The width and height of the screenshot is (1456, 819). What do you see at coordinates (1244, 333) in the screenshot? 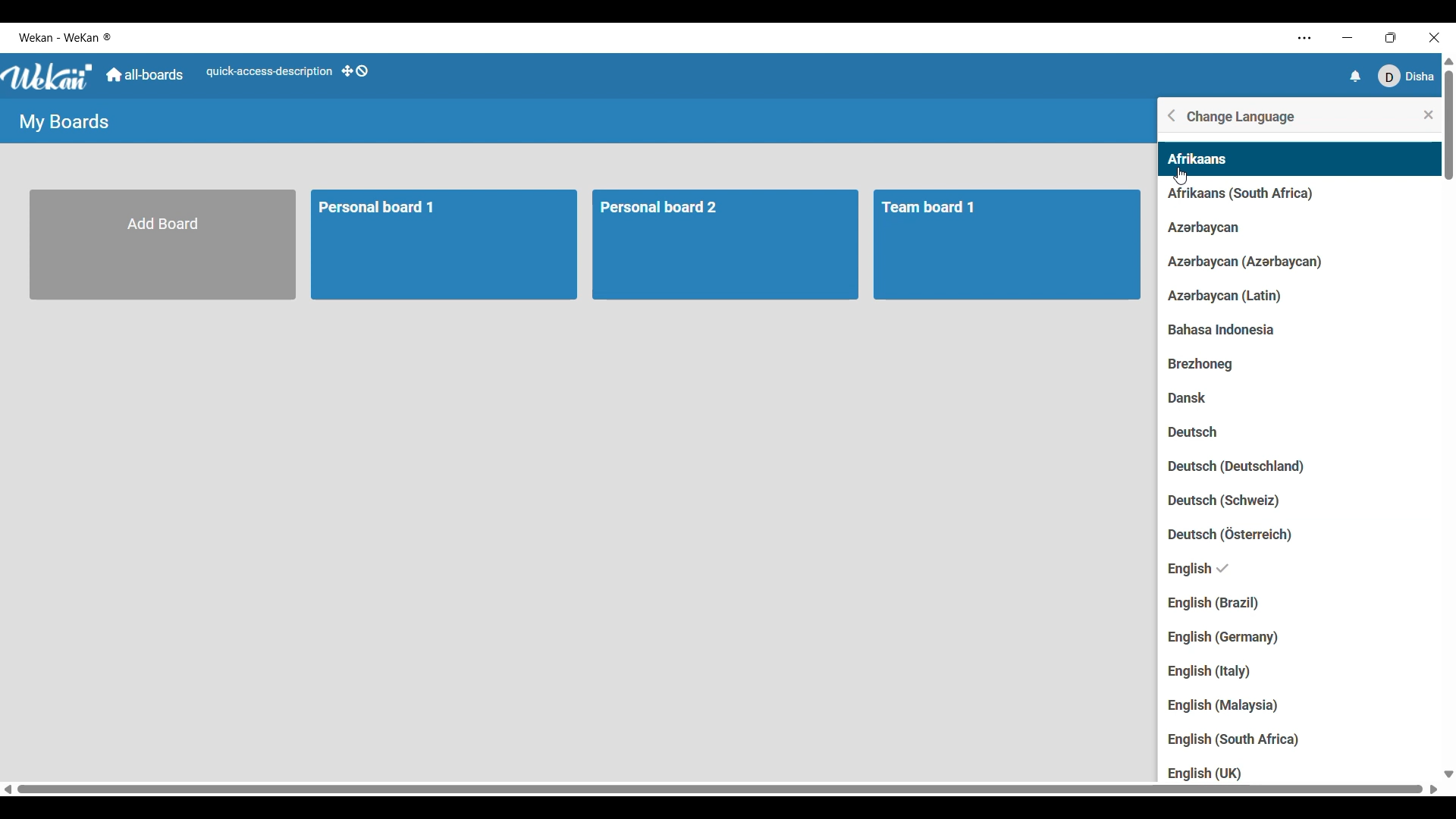
I see `Bahasa Indonesia` at bounding box center [1244, 333].